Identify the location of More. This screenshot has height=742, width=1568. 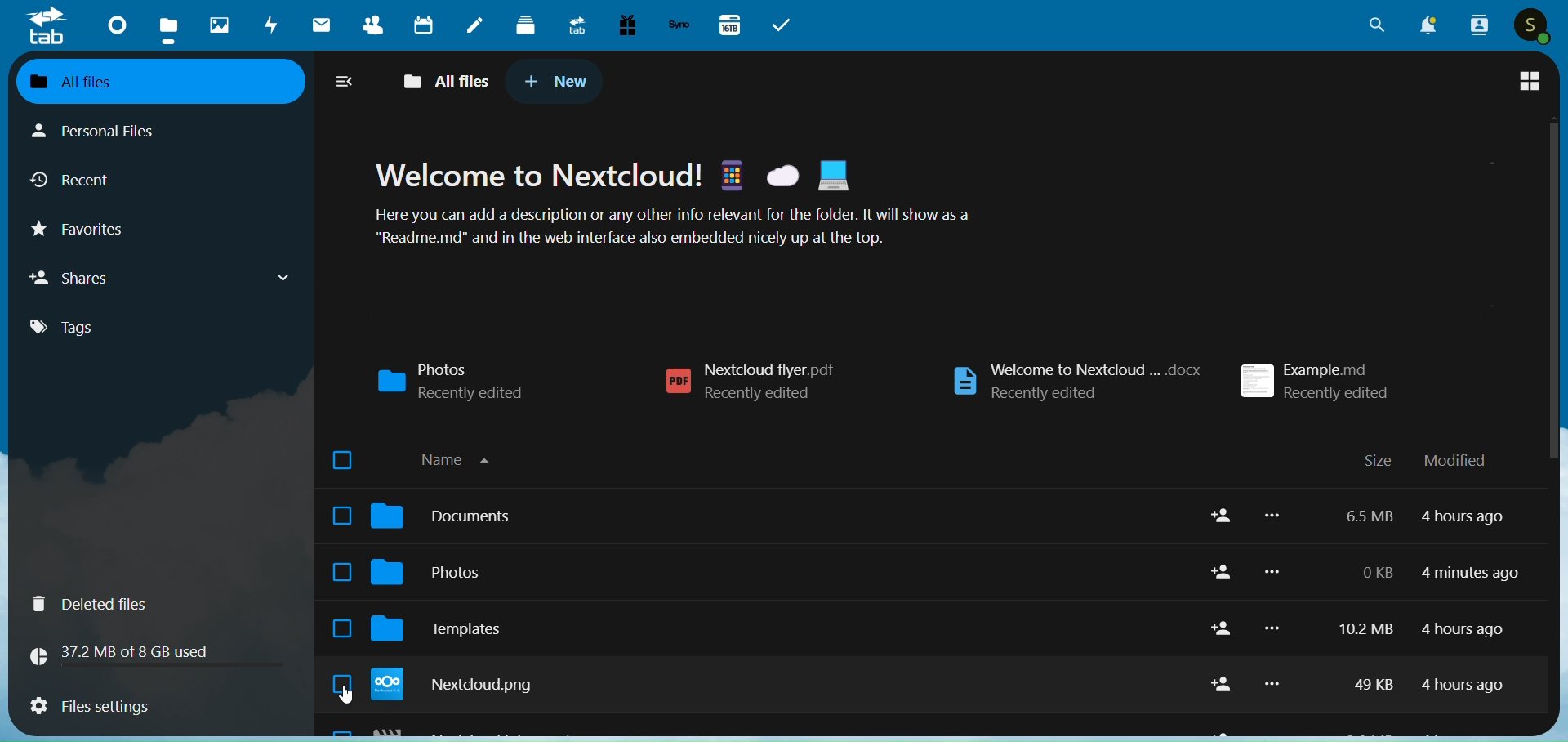
(1272, 515).